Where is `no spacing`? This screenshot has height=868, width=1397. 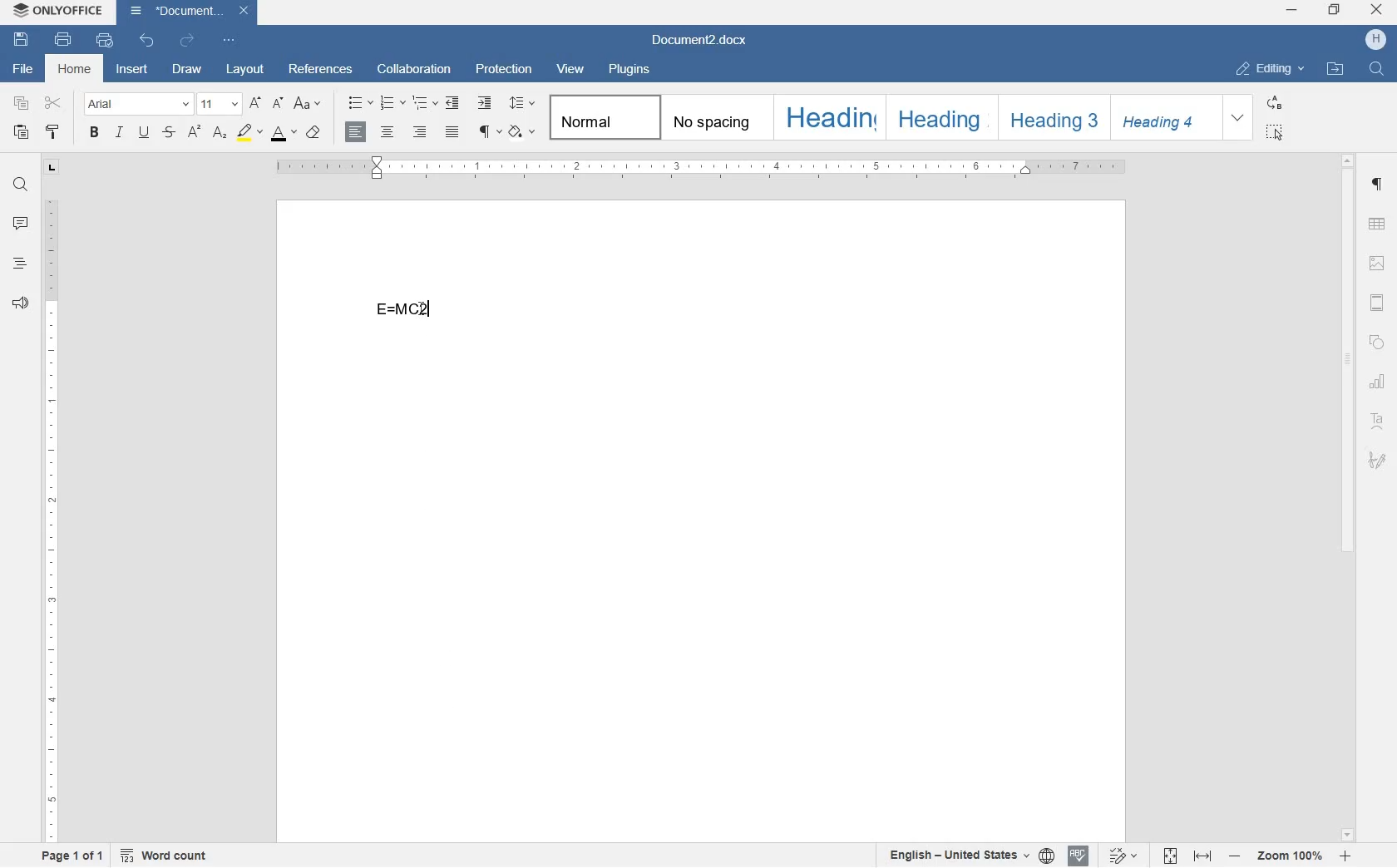
no spacing is located at coordinates (713, 116).